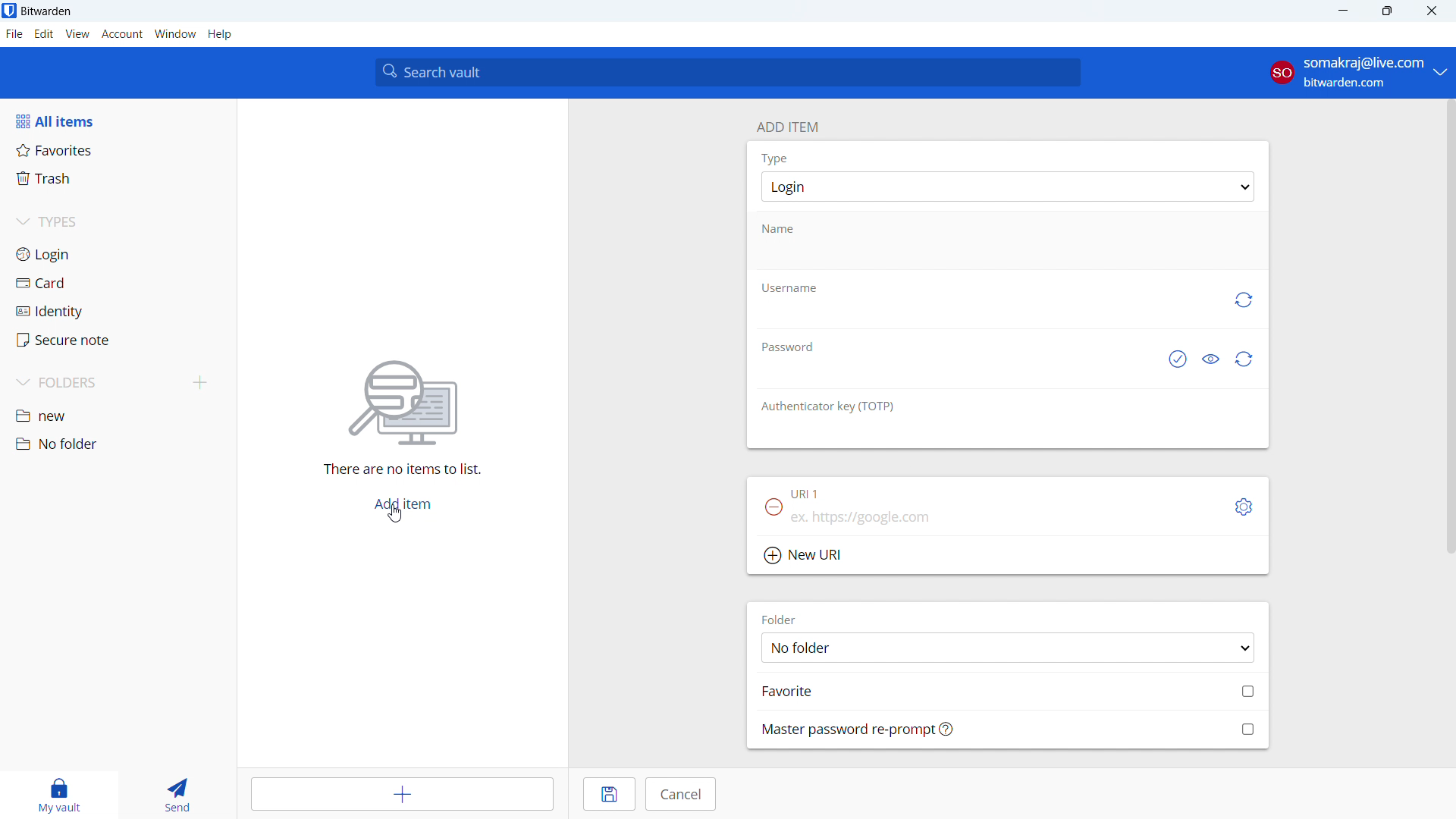 The image size is (1456, 819). Describe the element at coordinates (55, 795) in the screenshot. I see `my vault` at that location.